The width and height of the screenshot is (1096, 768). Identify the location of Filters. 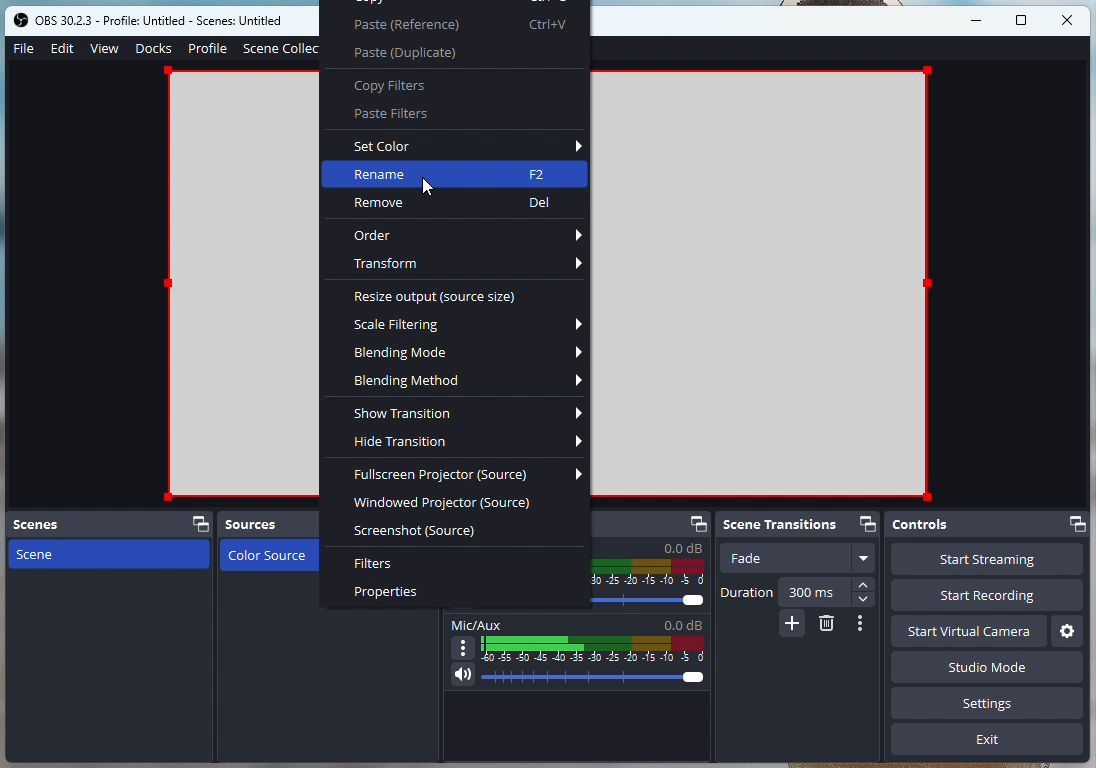
(386, 564).